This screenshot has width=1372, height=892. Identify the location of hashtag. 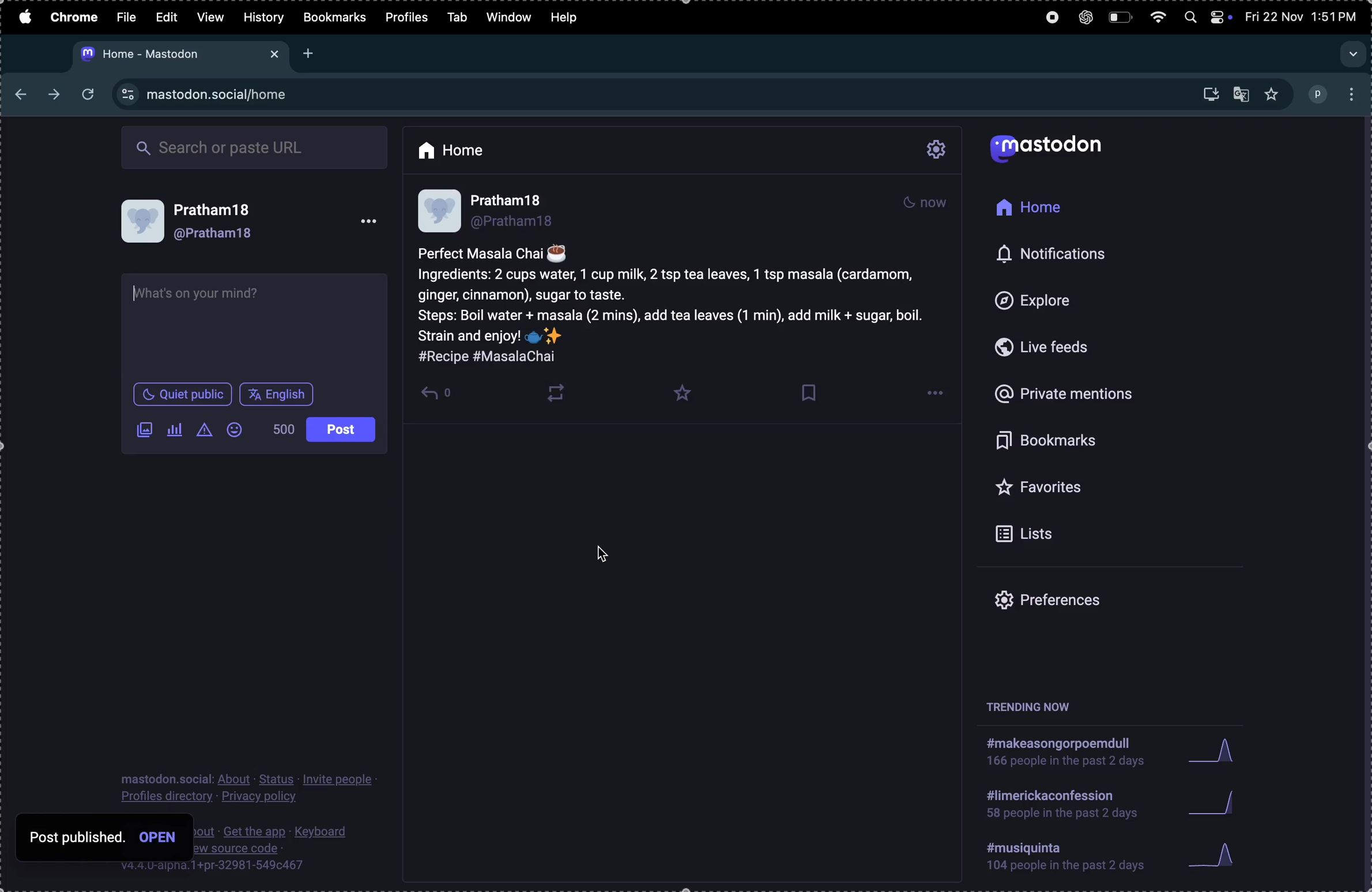
(1062, 752).